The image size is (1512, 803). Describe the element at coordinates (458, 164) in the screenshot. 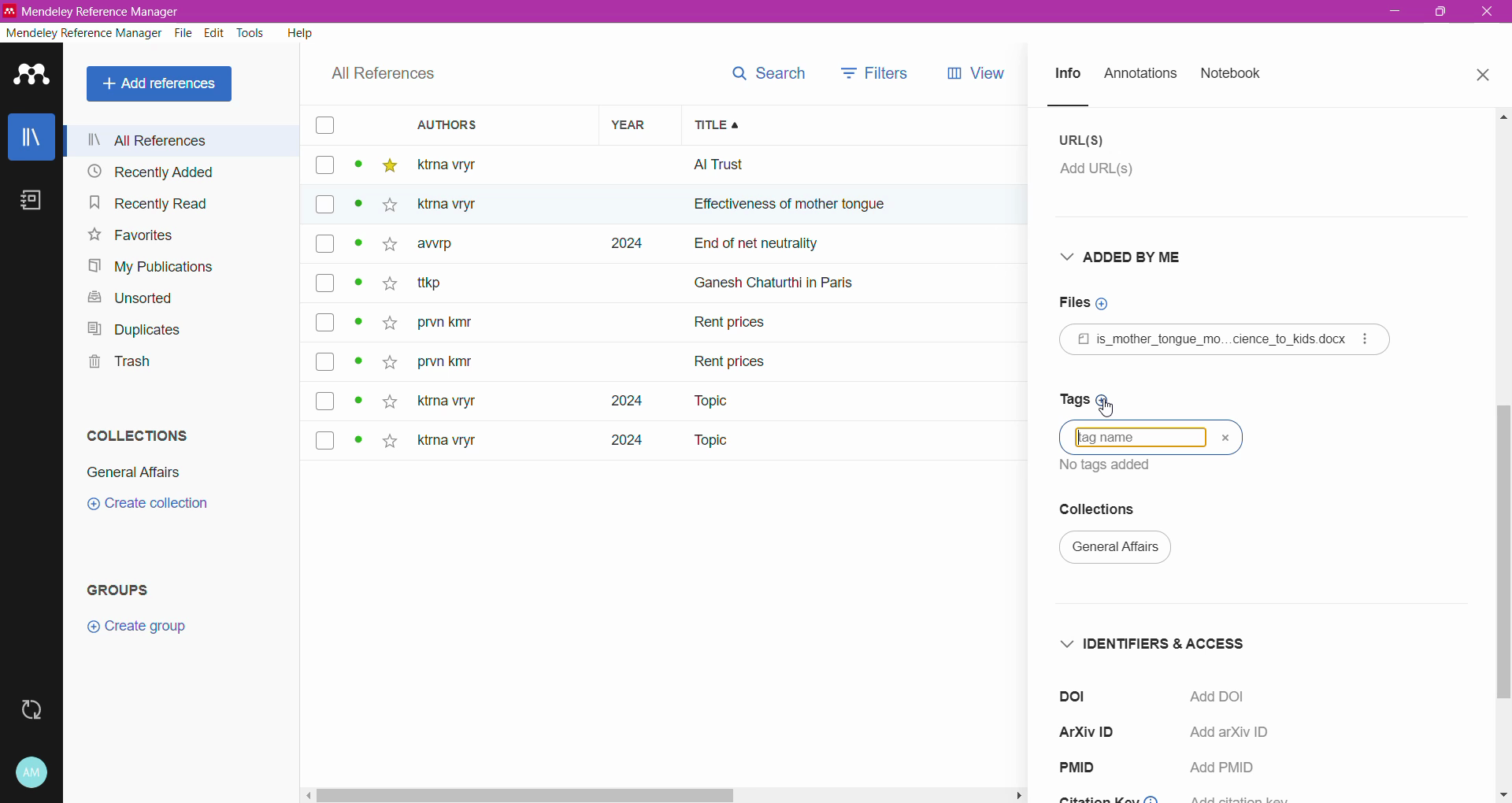

I see `ktma vtyr` at that location.